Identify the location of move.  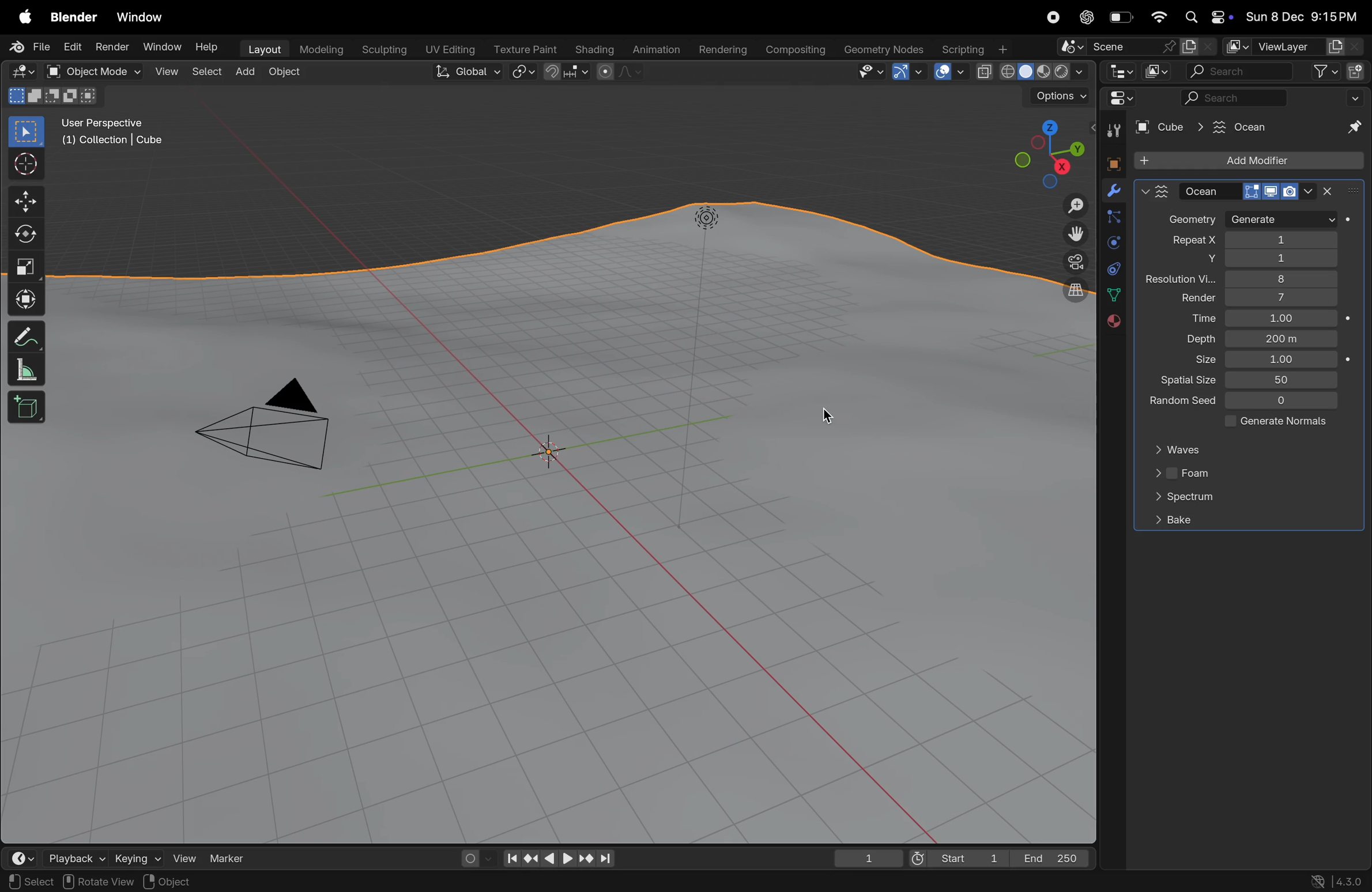
(25, 201).